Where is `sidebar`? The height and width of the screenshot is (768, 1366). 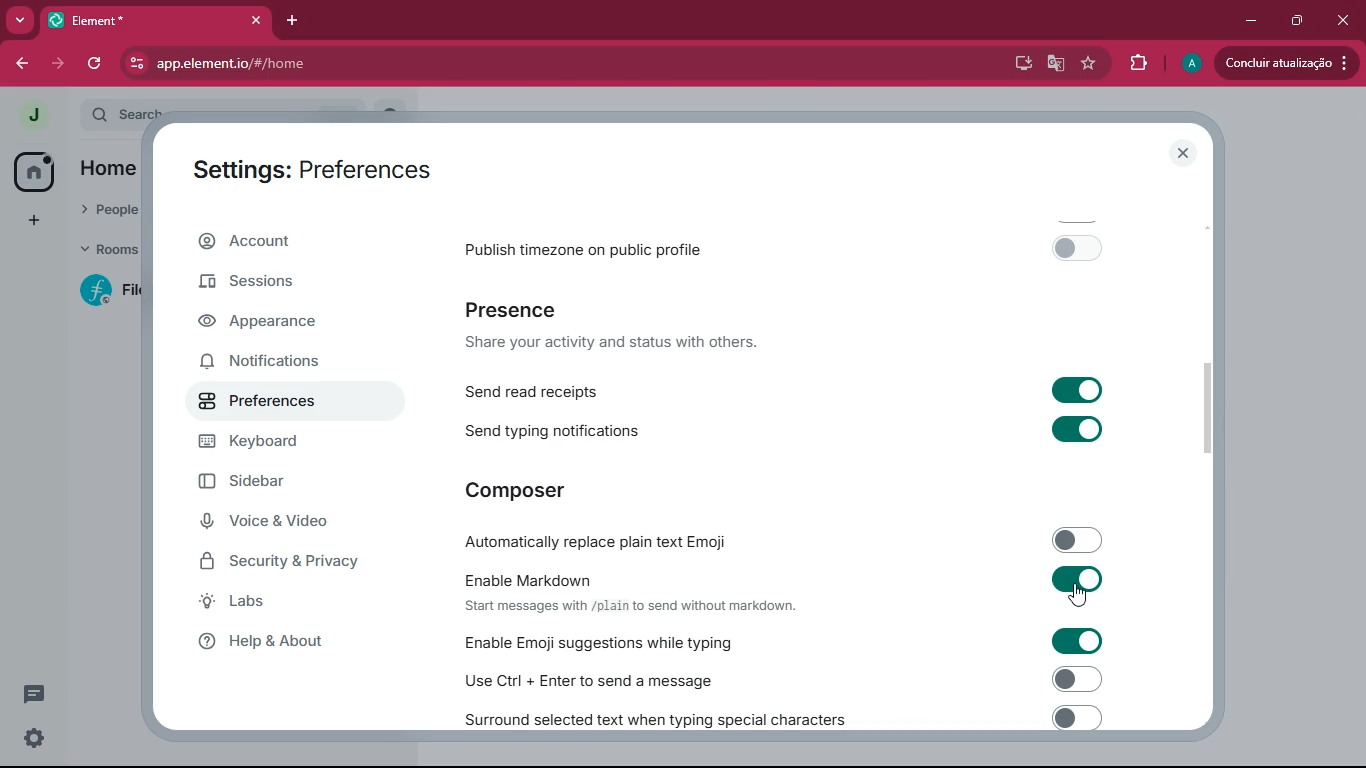
sidebar is located at coordinates (271, 484).